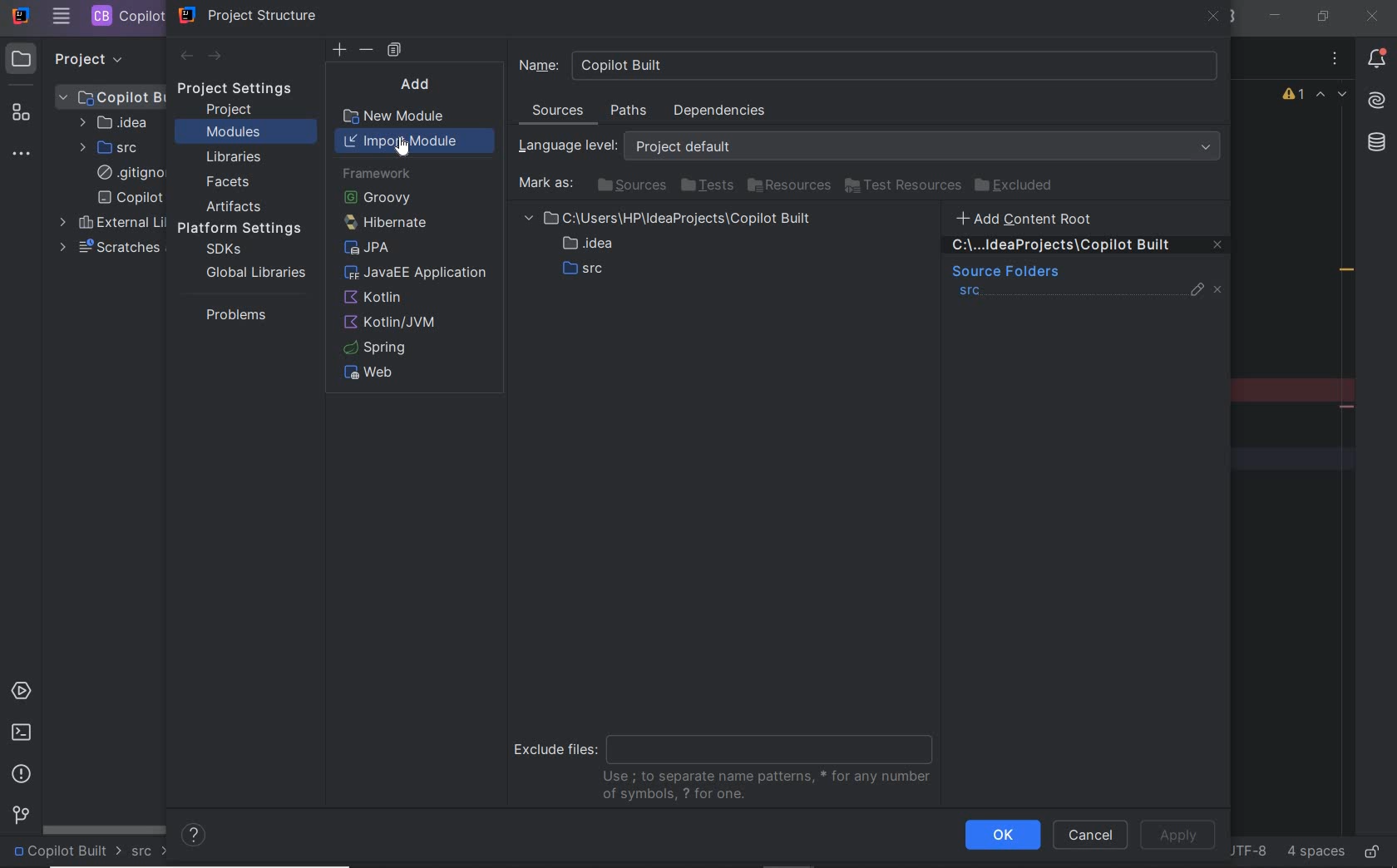 Image resolution: width=1397 pixels, height=868 pixels. What do you see at coordinates (1017, 185) in the screenshot?
I see `excluded` at bounding box center [1017, 185].